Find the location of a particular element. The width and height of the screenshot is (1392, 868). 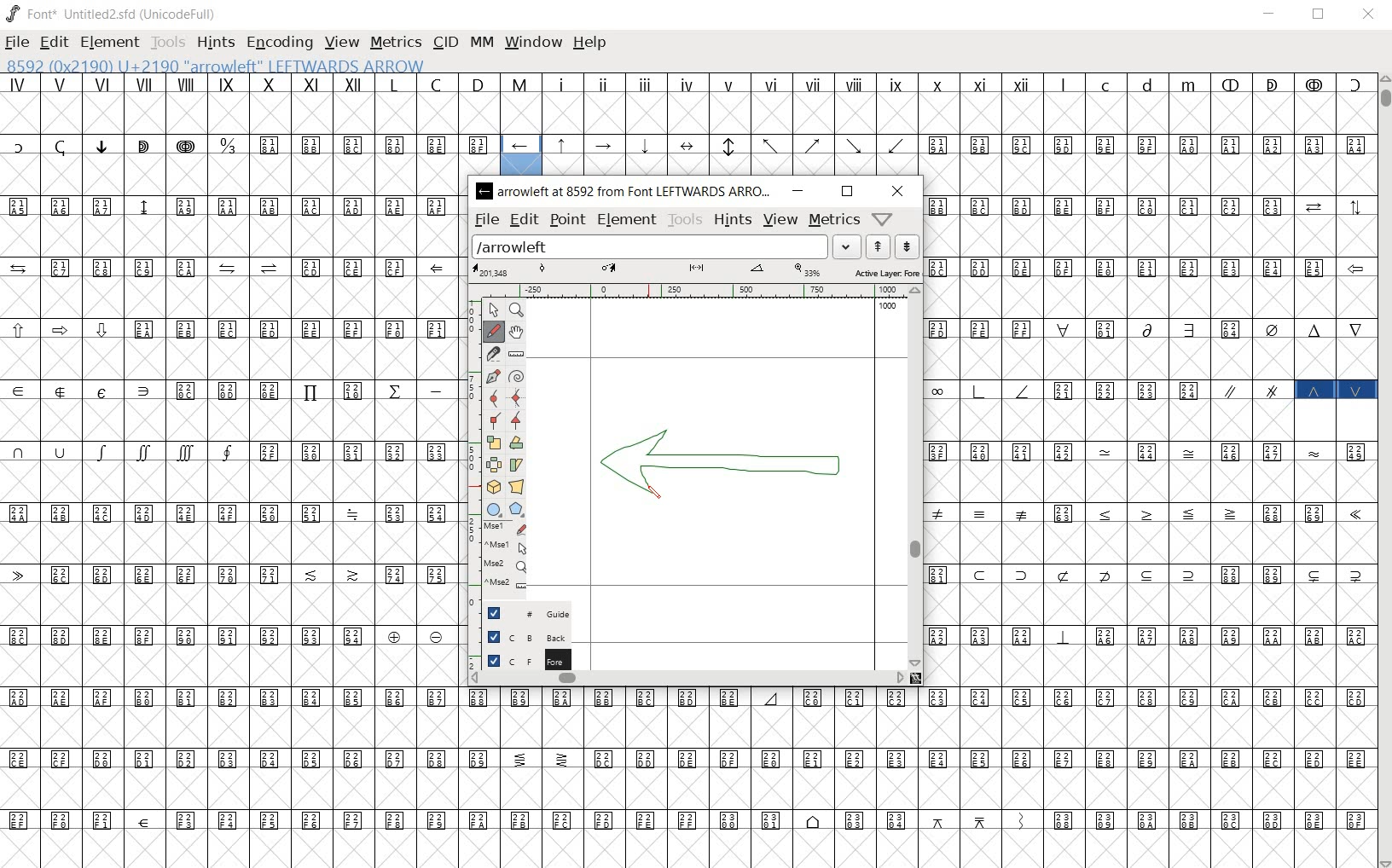

minimize is located at coordinates (1270, 14).